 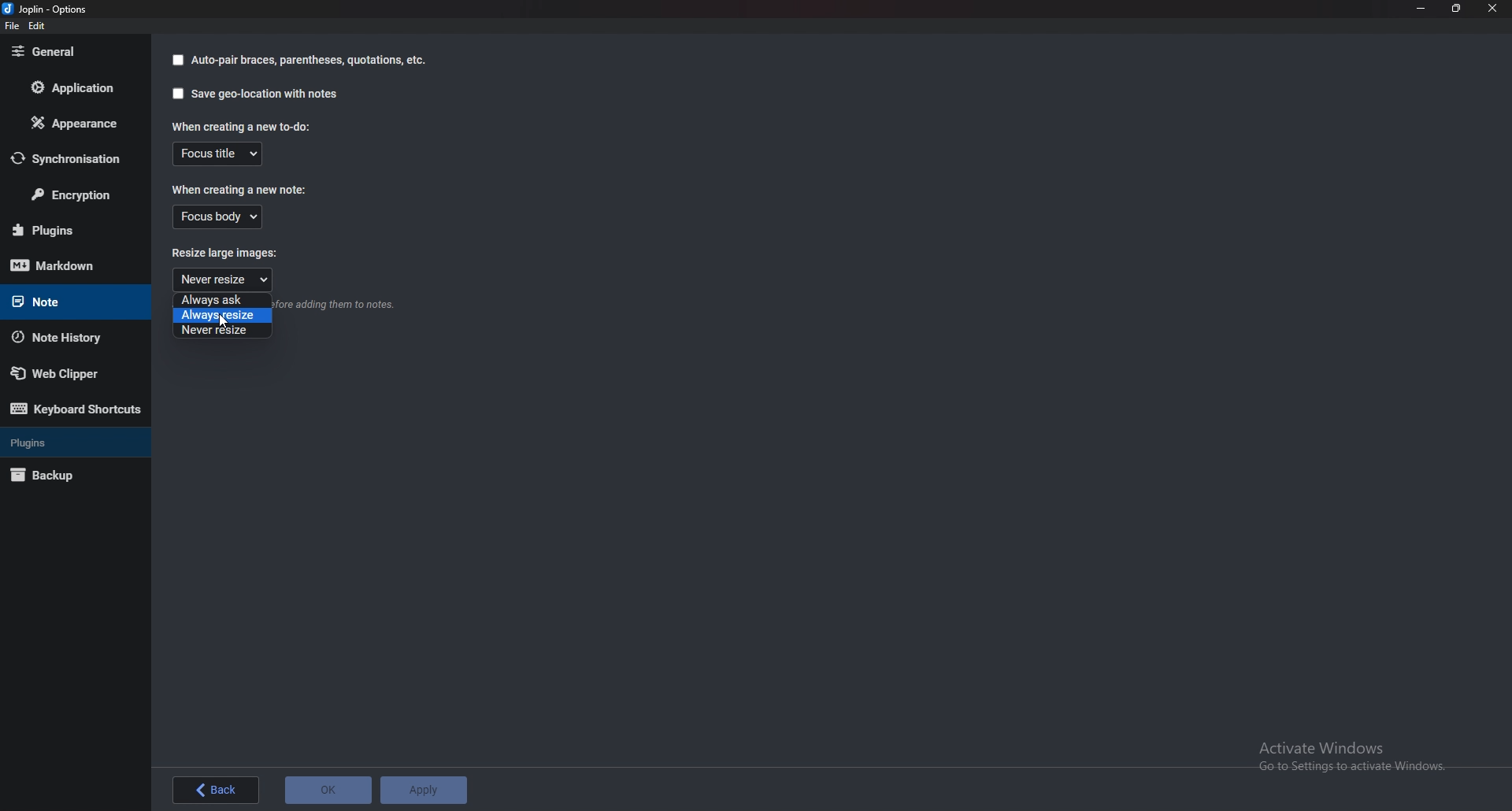 What do you see at coordinates (246, 126) in the screenshot?
I see `When creating a new to do` at bounding box center [246, 126].